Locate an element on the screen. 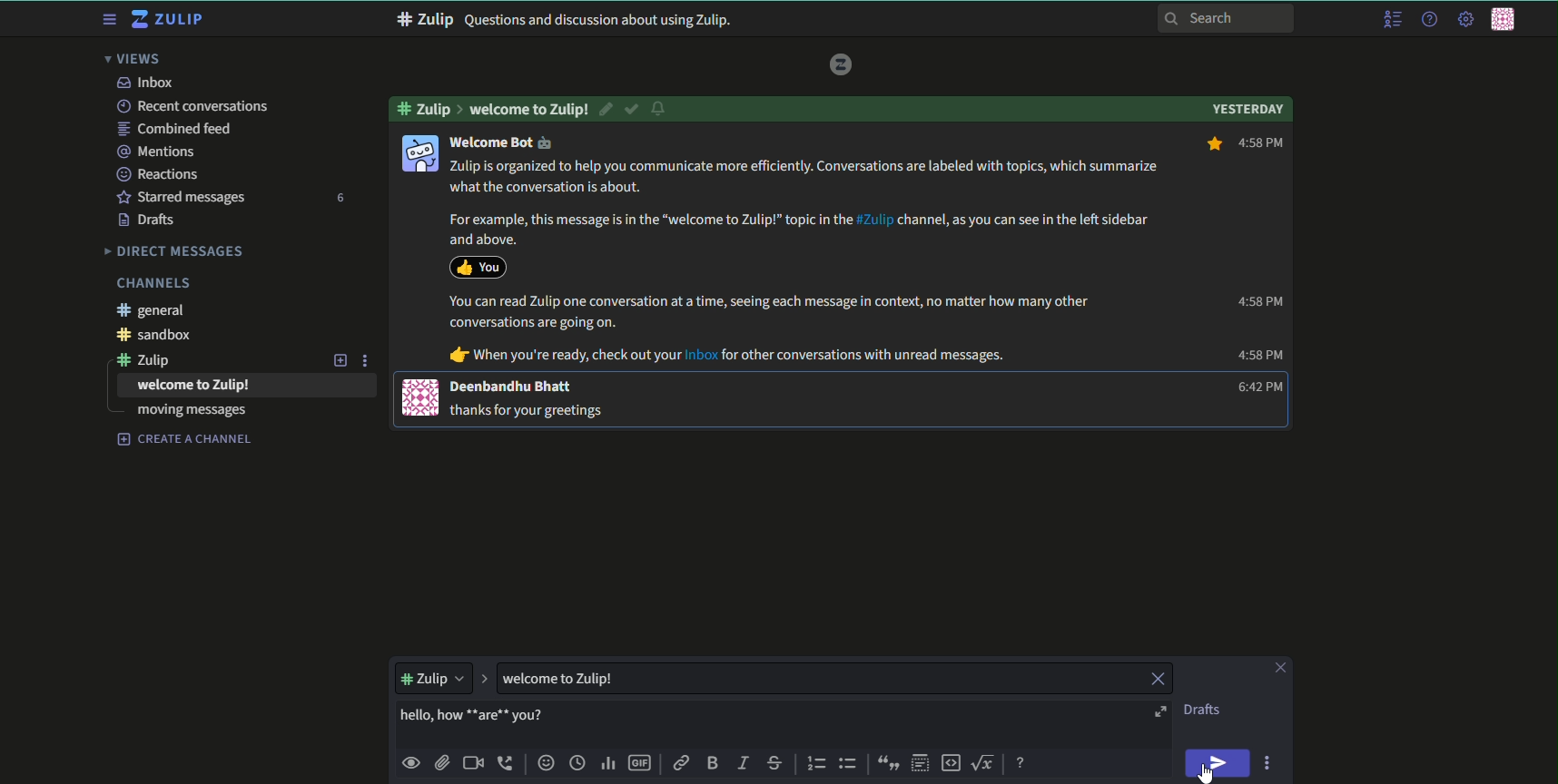  bulleted list is located at coordinates (848, 763).